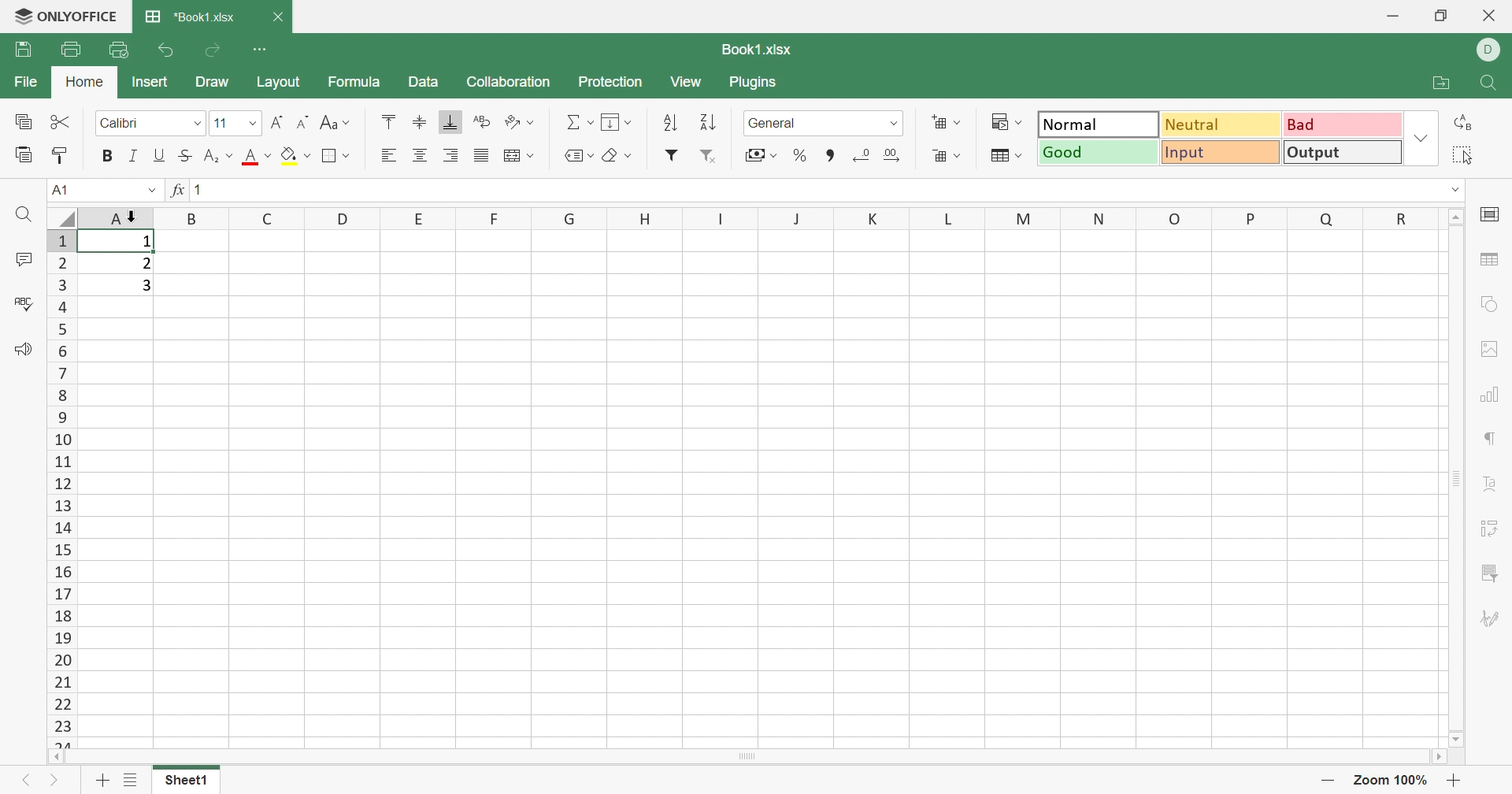 The height and width of the screenshot is (794, 1512). What do you see at coordinates (752, 82) in the screenshot?
I see `Plugins` at bounding box center [752, 82].